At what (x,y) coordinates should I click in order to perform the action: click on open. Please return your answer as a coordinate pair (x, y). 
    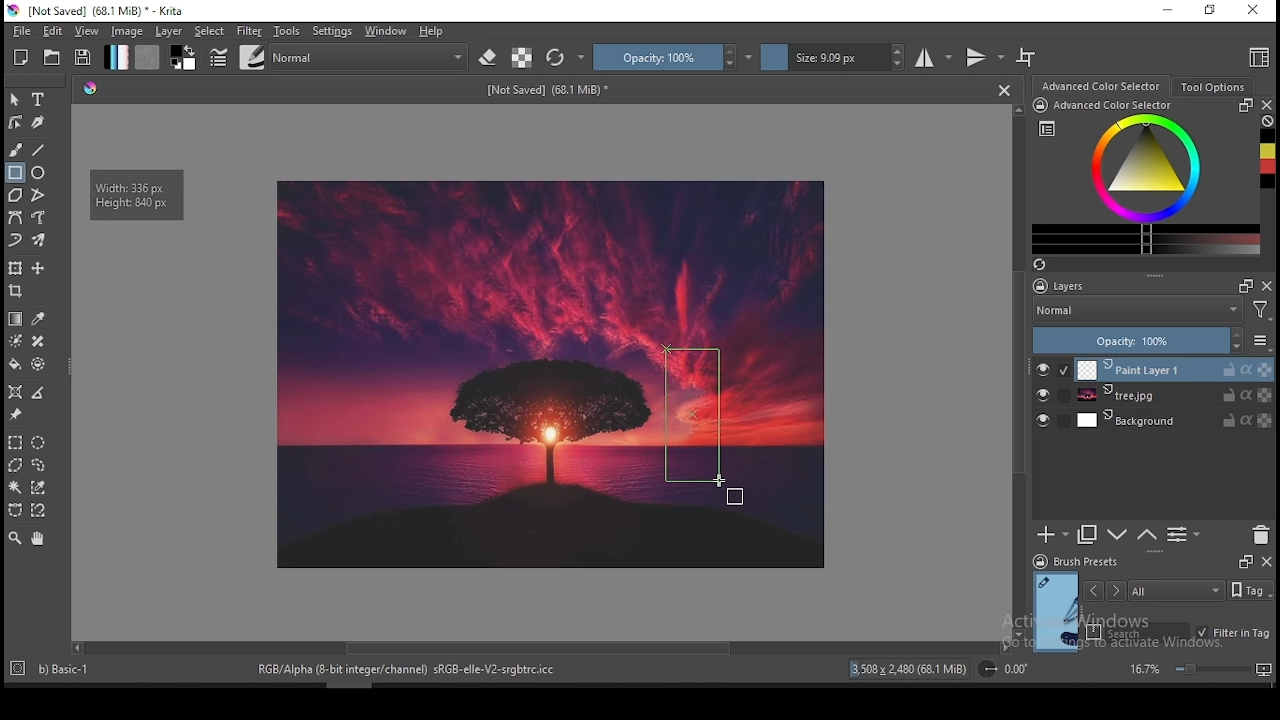
    Looking at the image, I should click on (54, 57).